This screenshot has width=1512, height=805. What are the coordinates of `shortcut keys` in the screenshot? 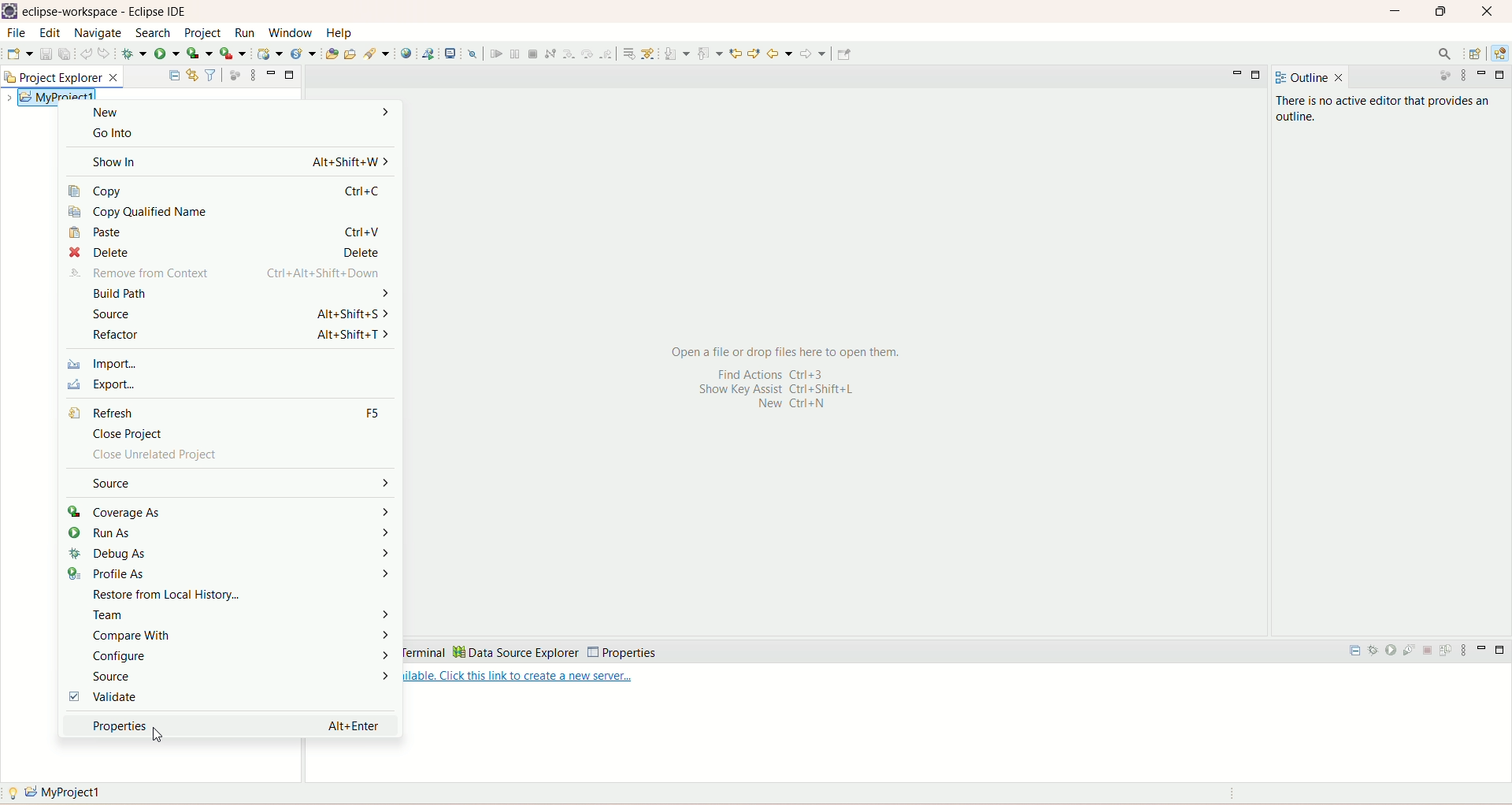 It's located at (784, 395).